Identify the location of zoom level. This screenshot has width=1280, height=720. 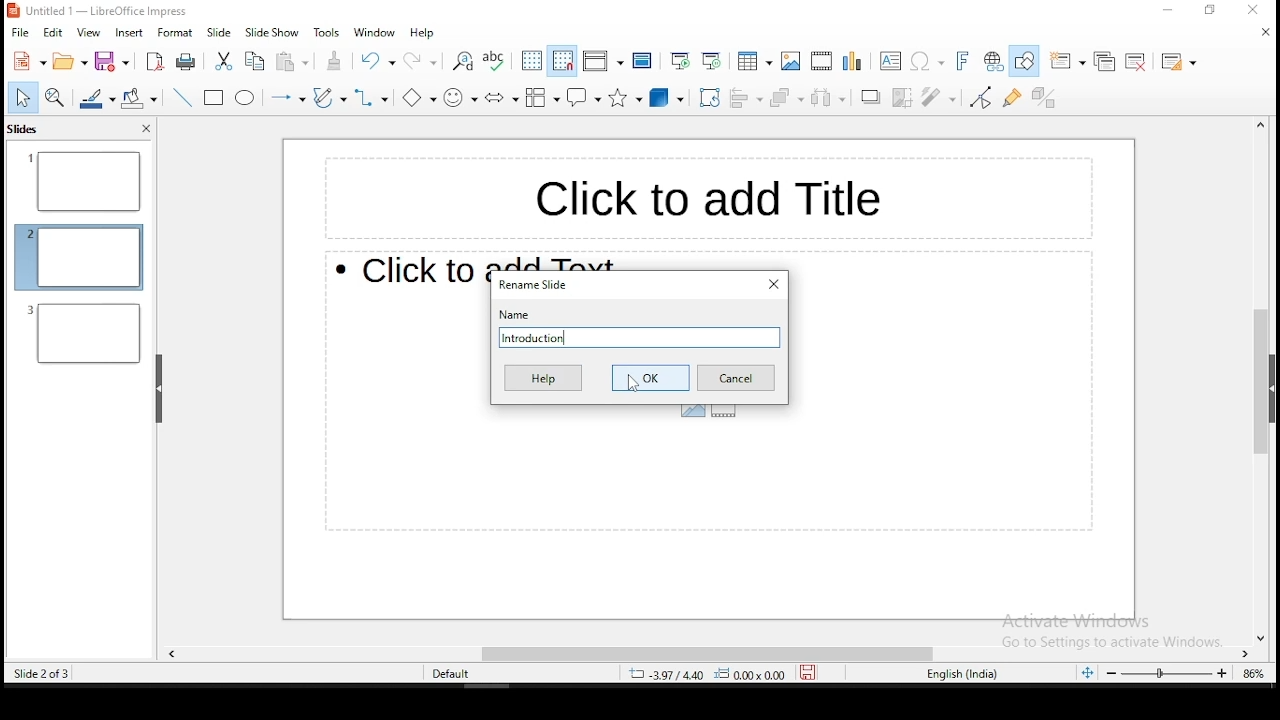
(1253, 672).